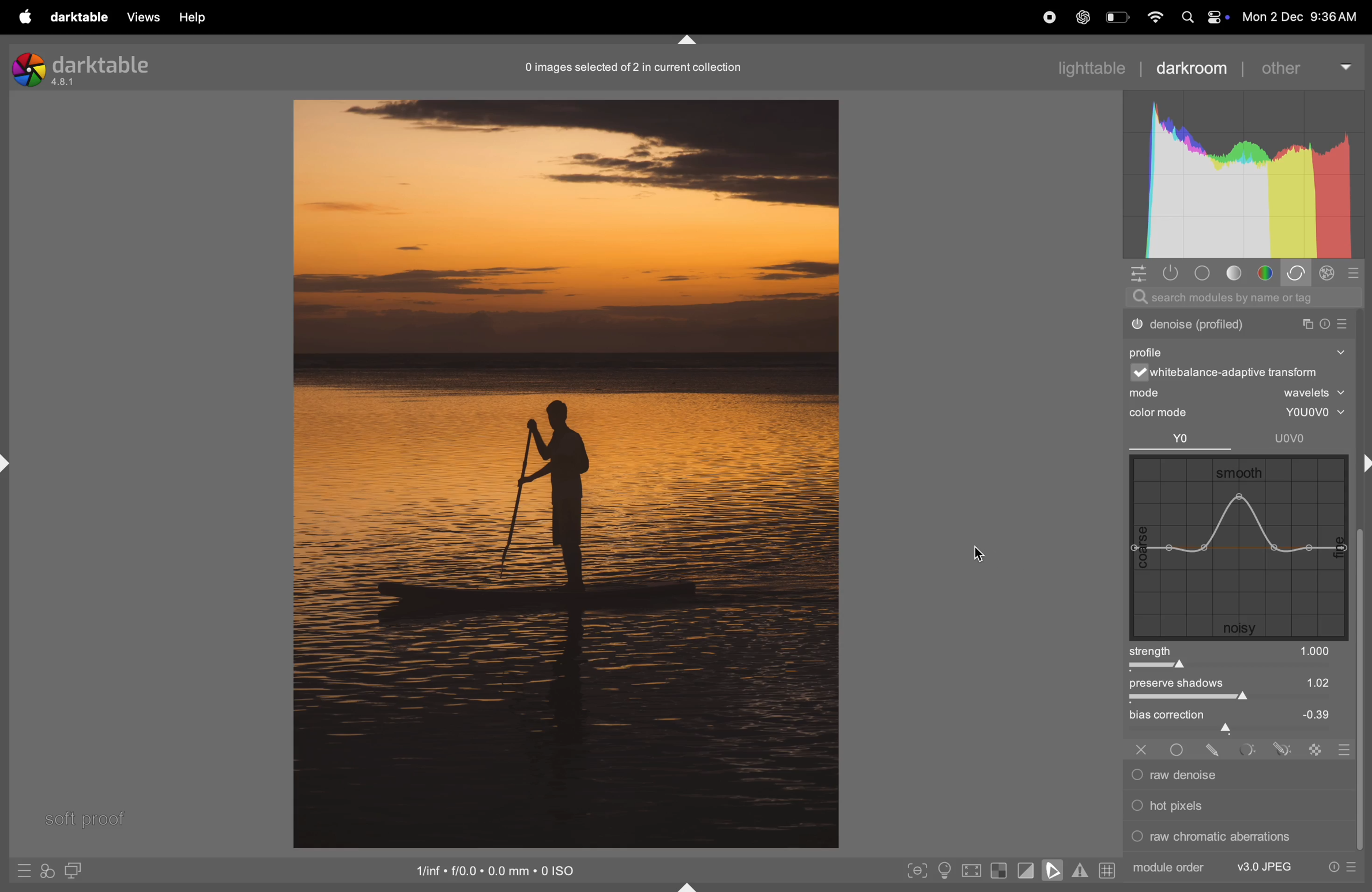 This screenshot has width=1372, height=892. Describe the element at coordinates (1358, 273) in the screenshot. I see `sign ` at that location.